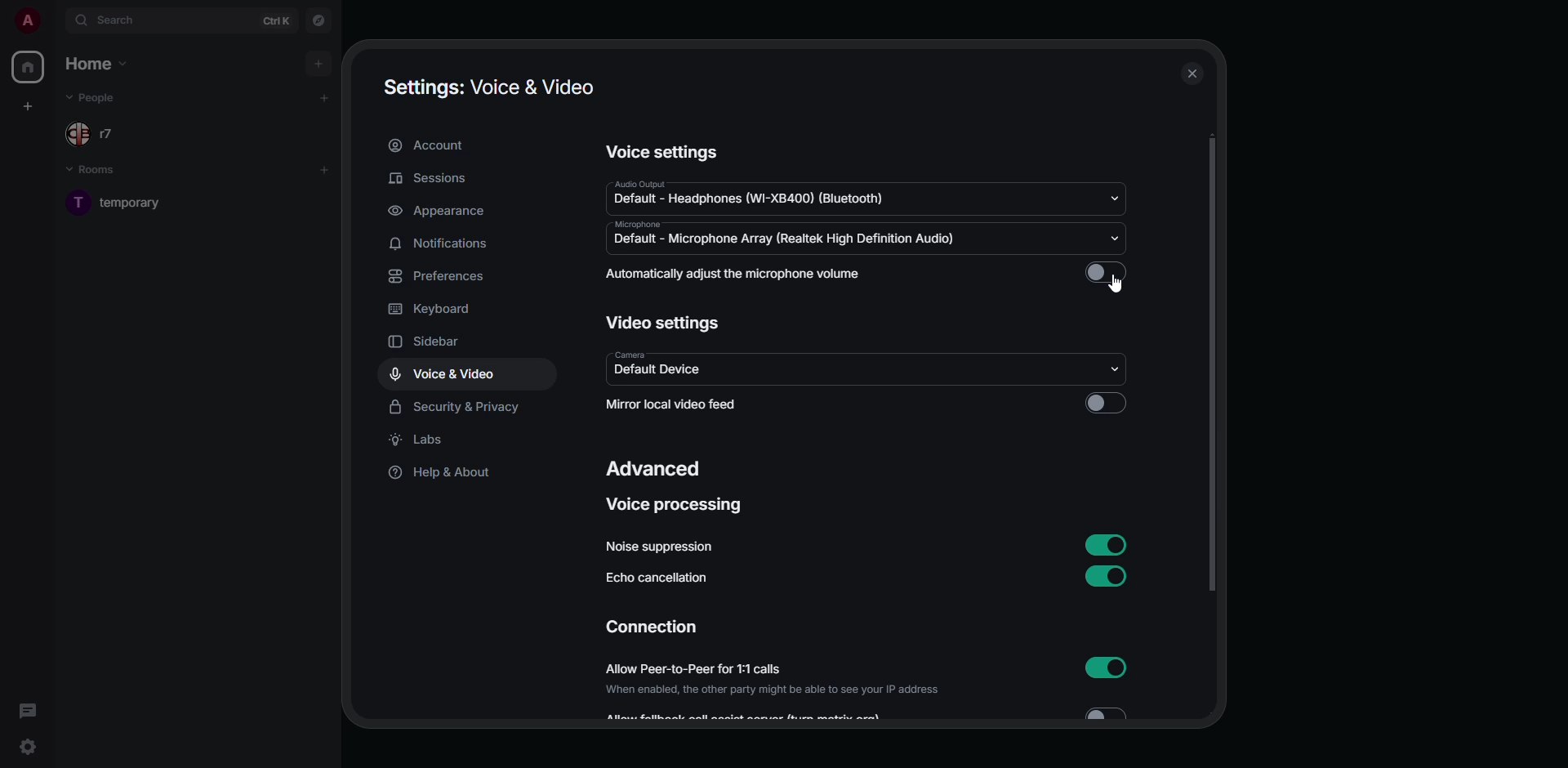 The width and height of the screenshot is (1568, 768). I want to click on scroll bar, so click(1212, 368).